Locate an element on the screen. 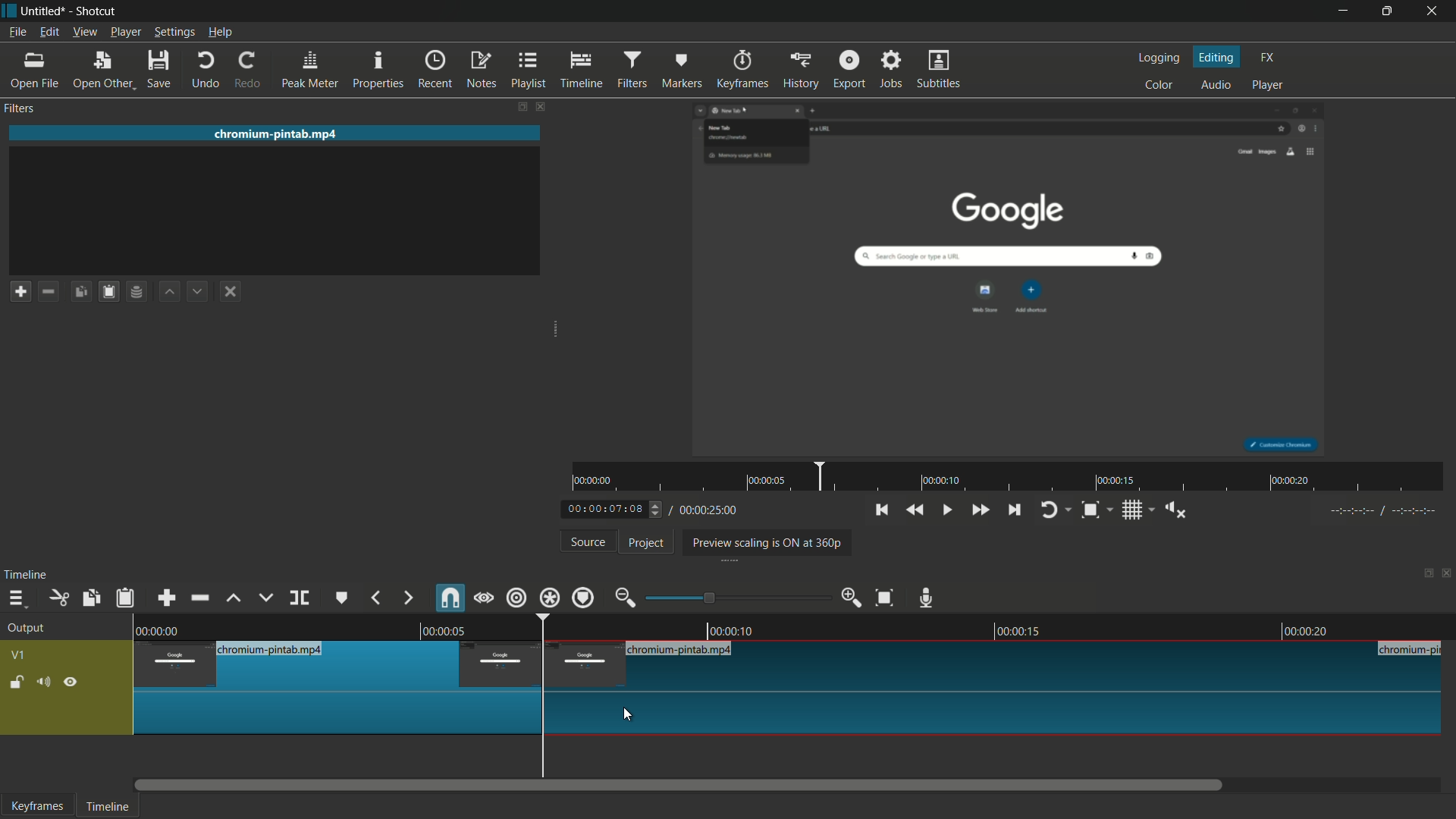  ripple markers is located at coordinates (583, 598).